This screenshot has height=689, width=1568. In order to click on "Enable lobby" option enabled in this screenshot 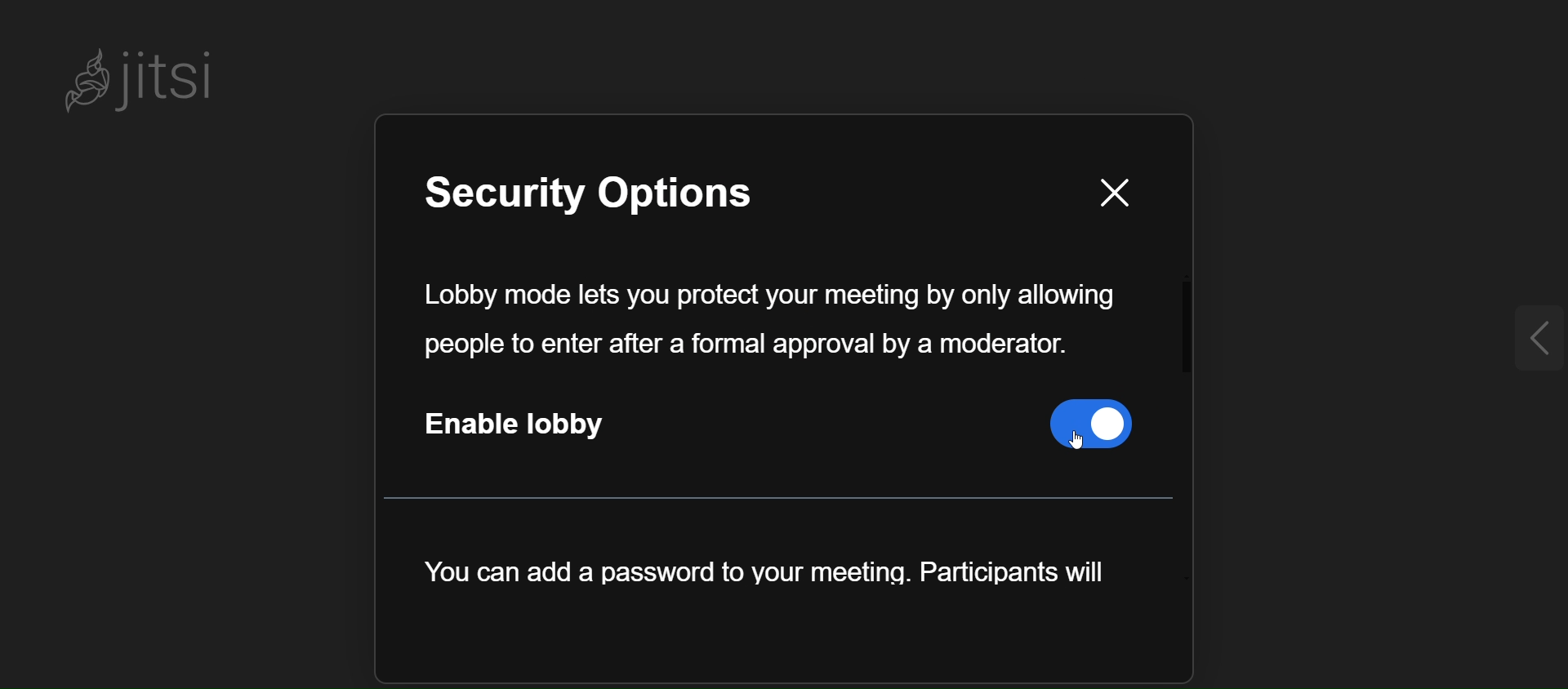, I will do `click(778, 433)`.